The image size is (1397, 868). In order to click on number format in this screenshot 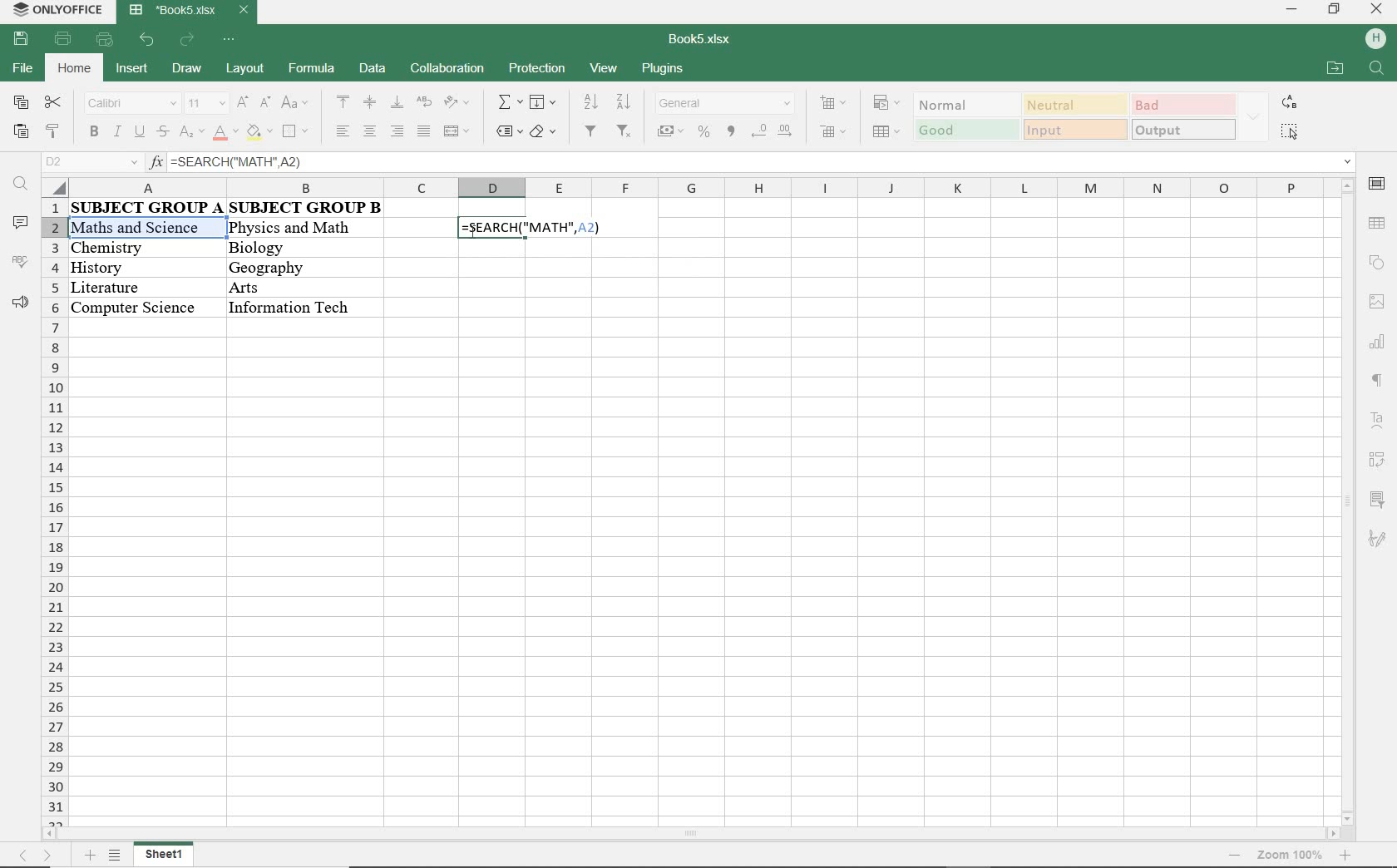, I will do `click(726, 105)`.